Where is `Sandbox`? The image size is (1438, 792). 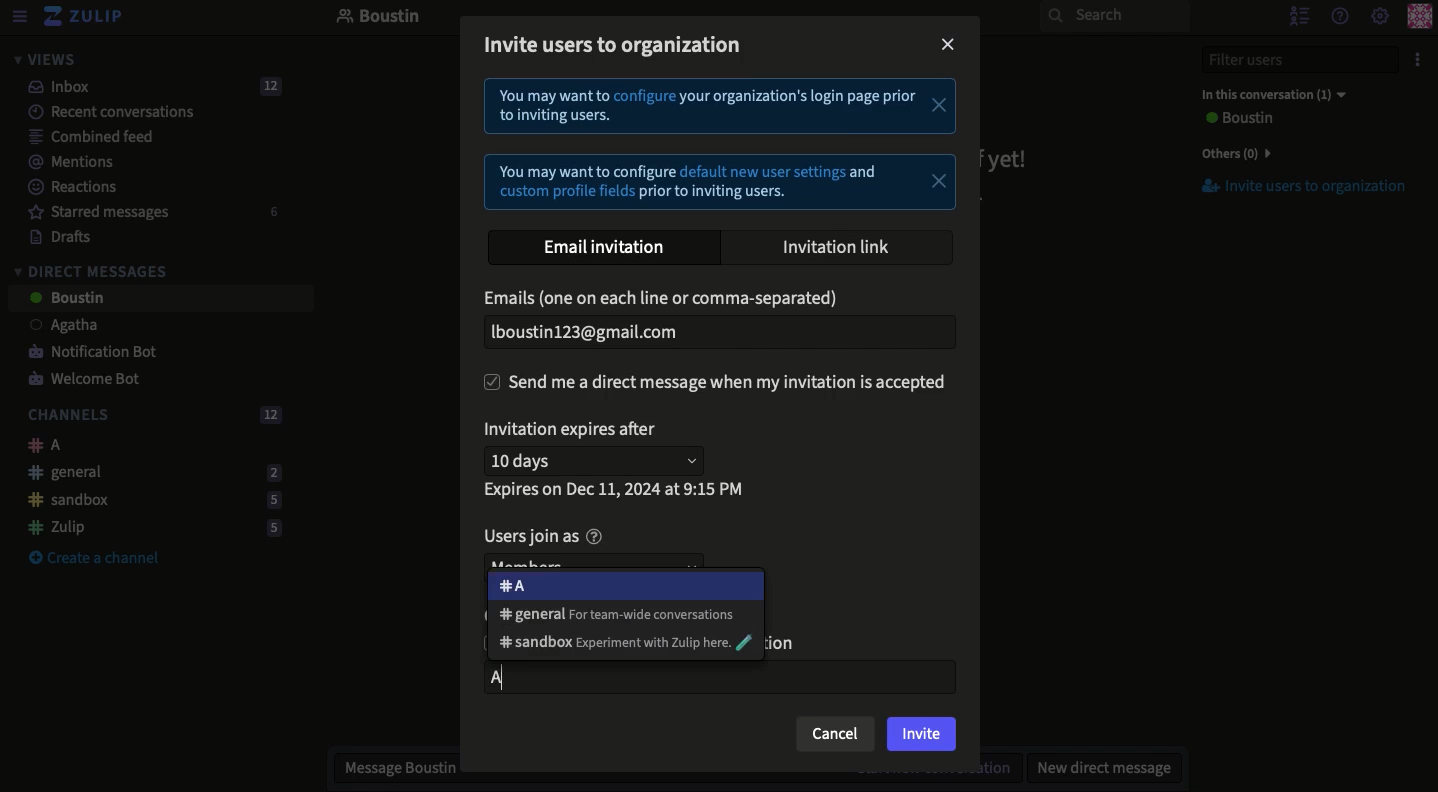 Sandbox is located at coordinates (147, 501).